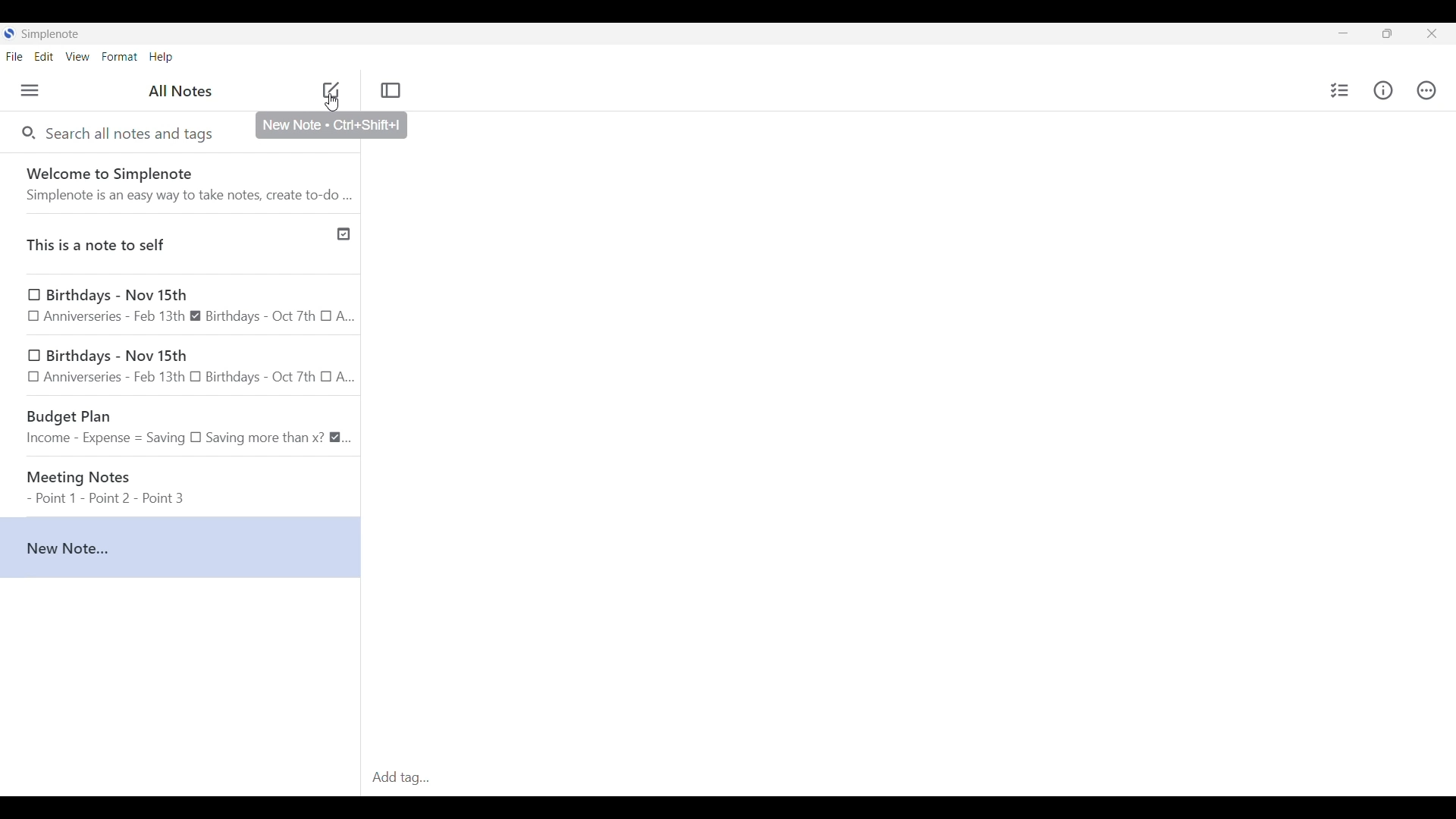 The height and width of the screenshot is (819, 1456). What do you see at coordinates (1431, 33) in the screenshot?
I see `Close interface` at bounding box center [1431, 33].